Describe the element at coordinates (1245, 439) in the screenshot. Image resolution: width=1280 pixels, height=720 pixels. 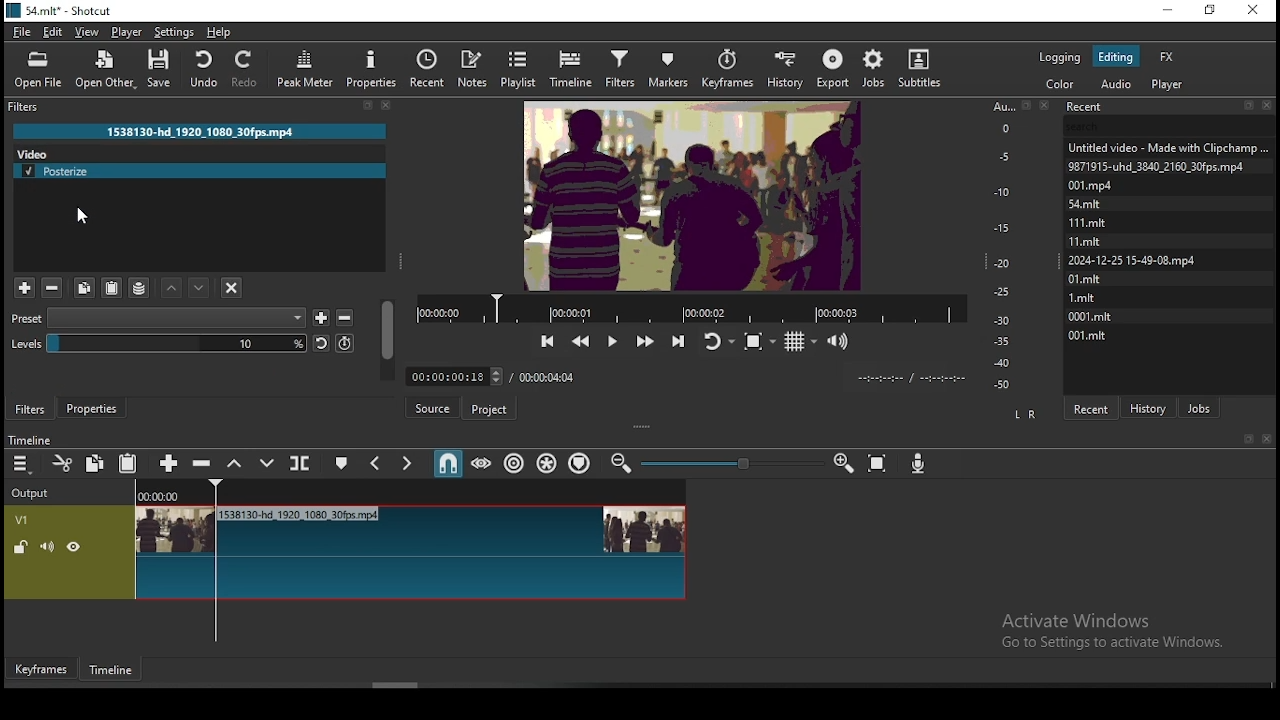
I see `Book mark` at that location.